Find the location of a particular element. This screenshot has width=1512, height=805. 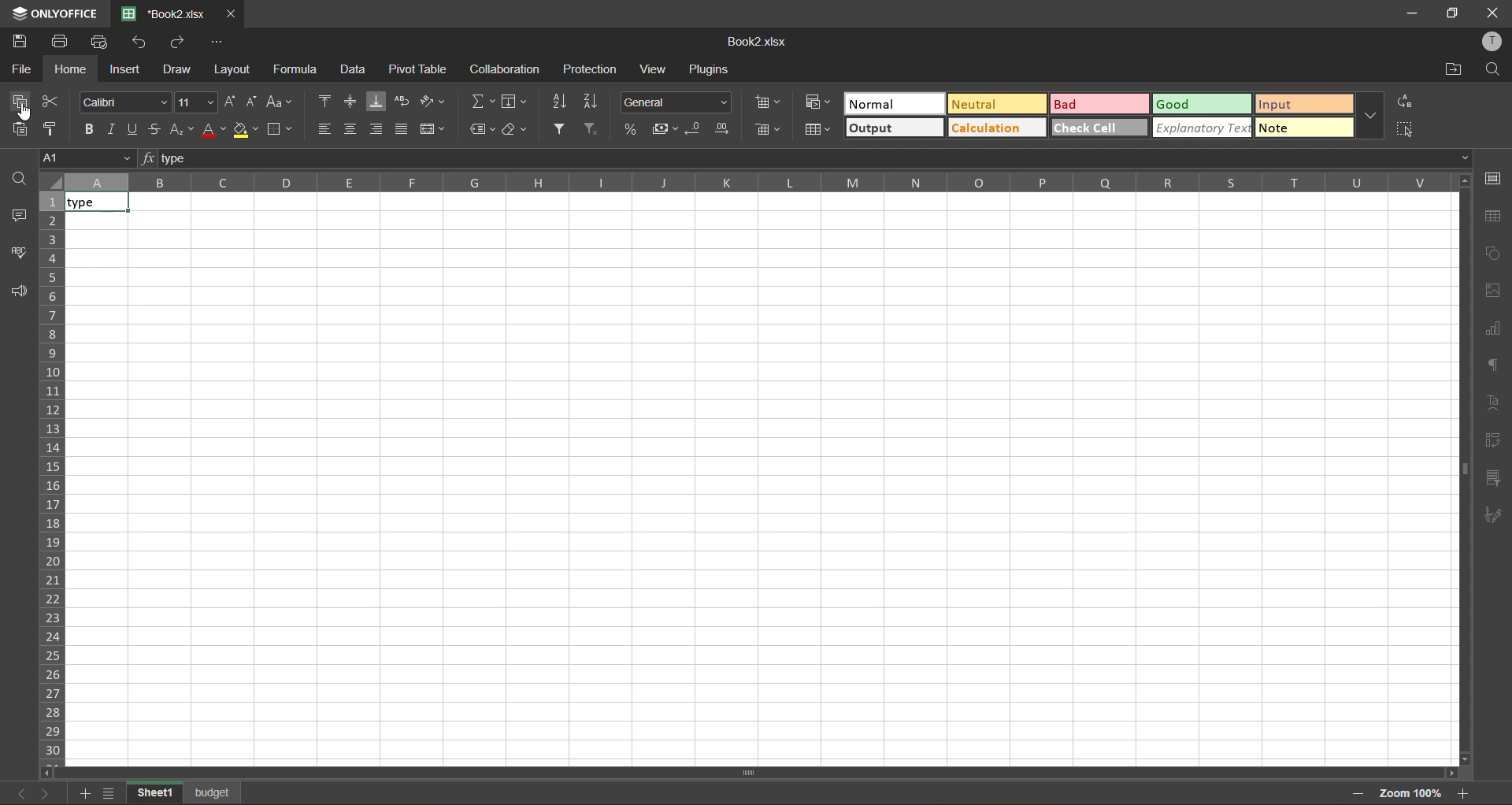

neutral is located at coordinates (996, 104).